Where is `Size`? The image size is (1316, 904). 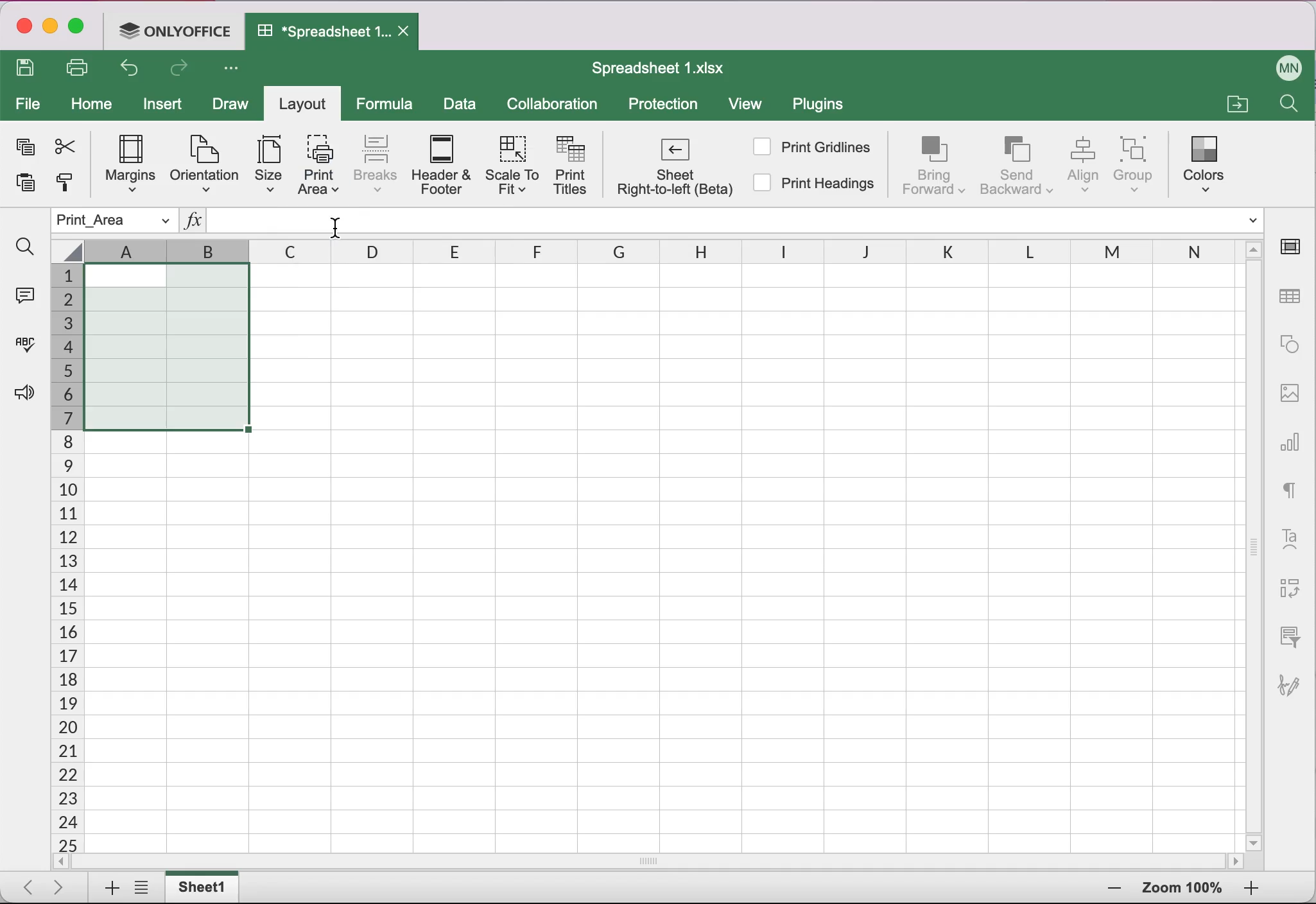
Size is located at coordinates (263, 166).